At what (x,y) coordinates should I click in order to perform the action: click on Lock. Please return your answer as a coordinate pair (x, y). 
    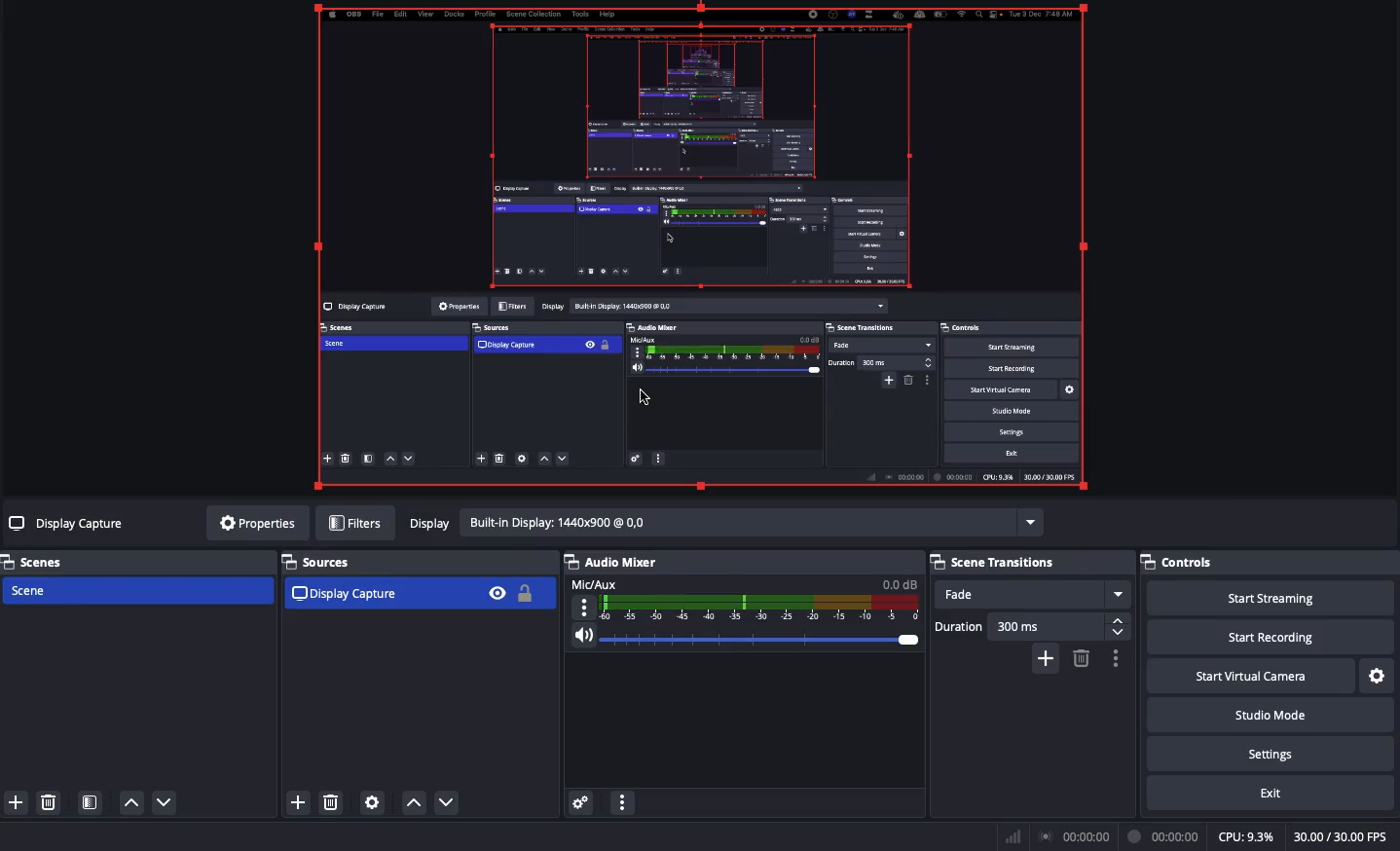
    Looking at the image, I should click on (531, 593).